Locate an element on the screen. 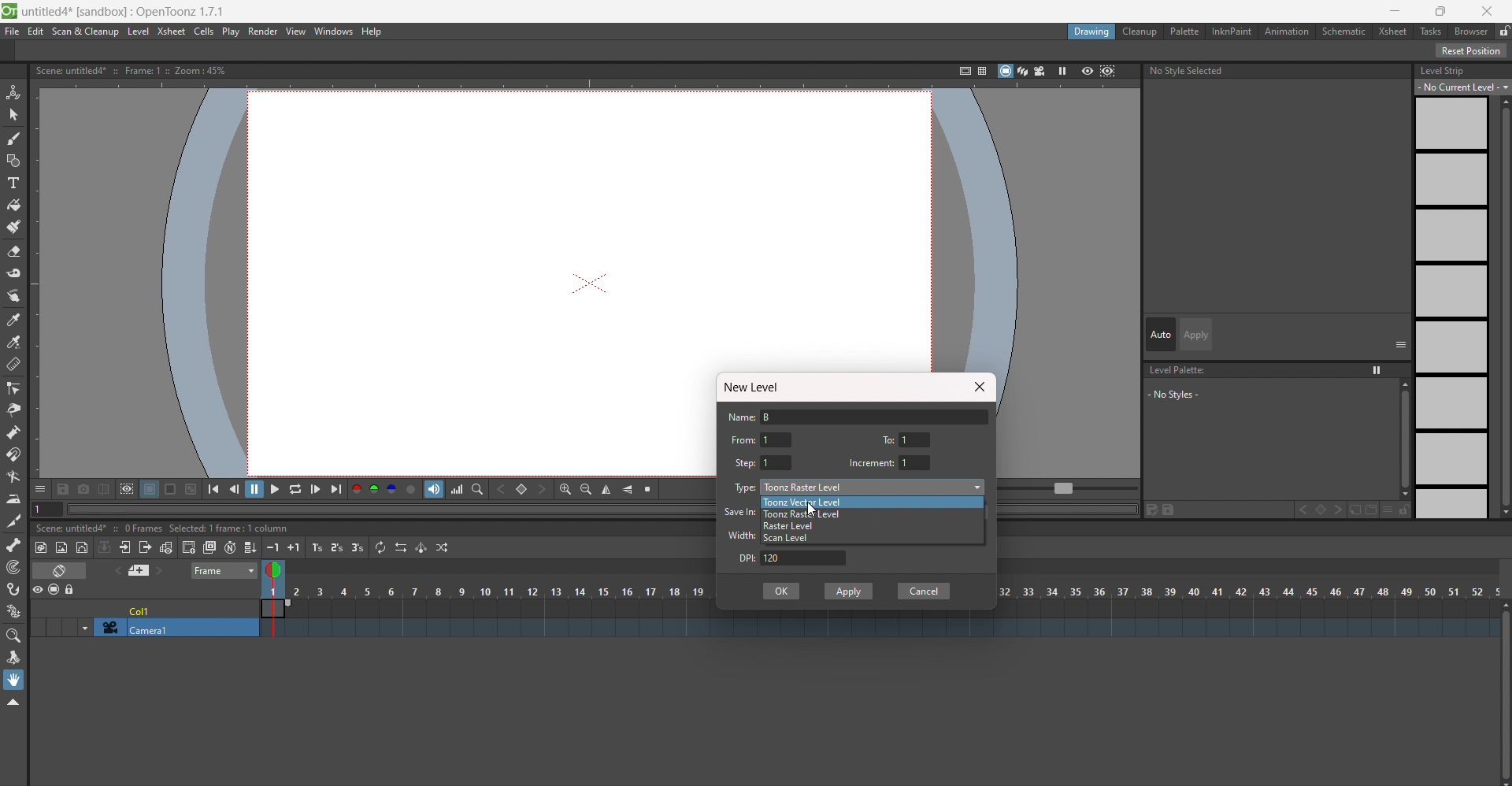 This screenshot has width=1512, height=786. tool is located at coordinates (64, 488).